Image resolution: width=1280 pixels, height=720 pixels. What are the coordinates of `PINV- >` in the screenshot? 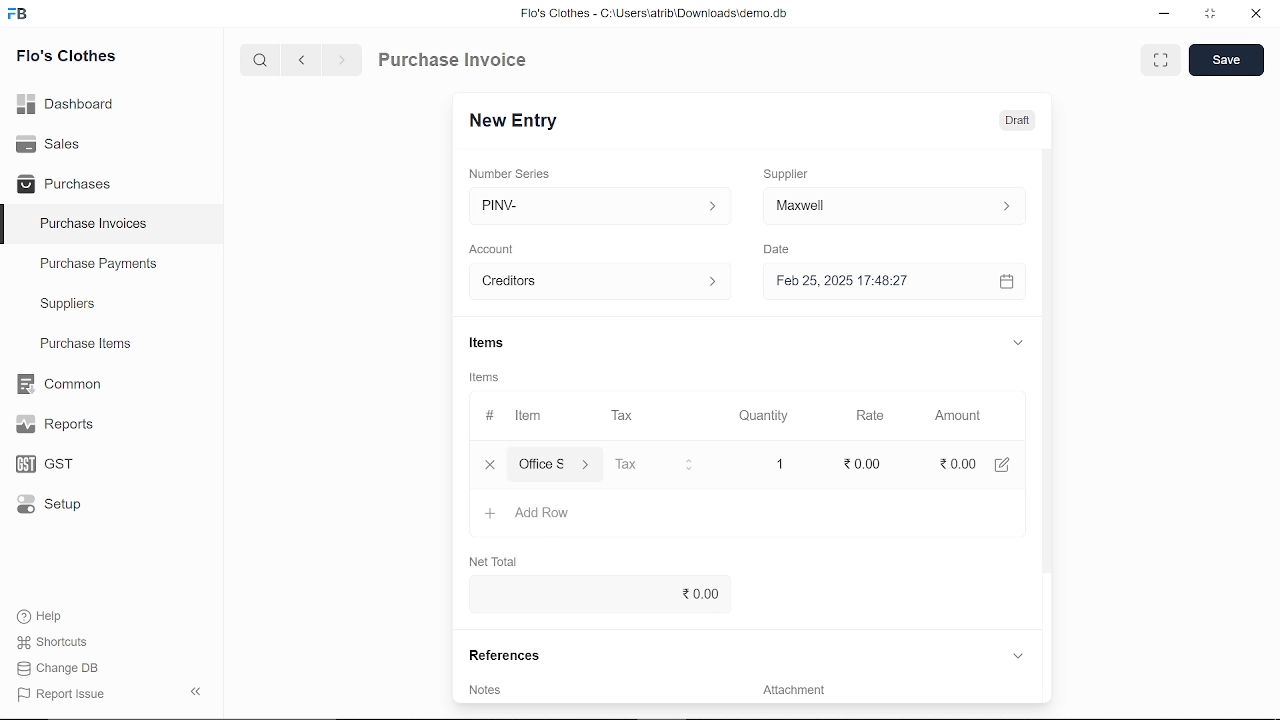 It's located at (593, 206).